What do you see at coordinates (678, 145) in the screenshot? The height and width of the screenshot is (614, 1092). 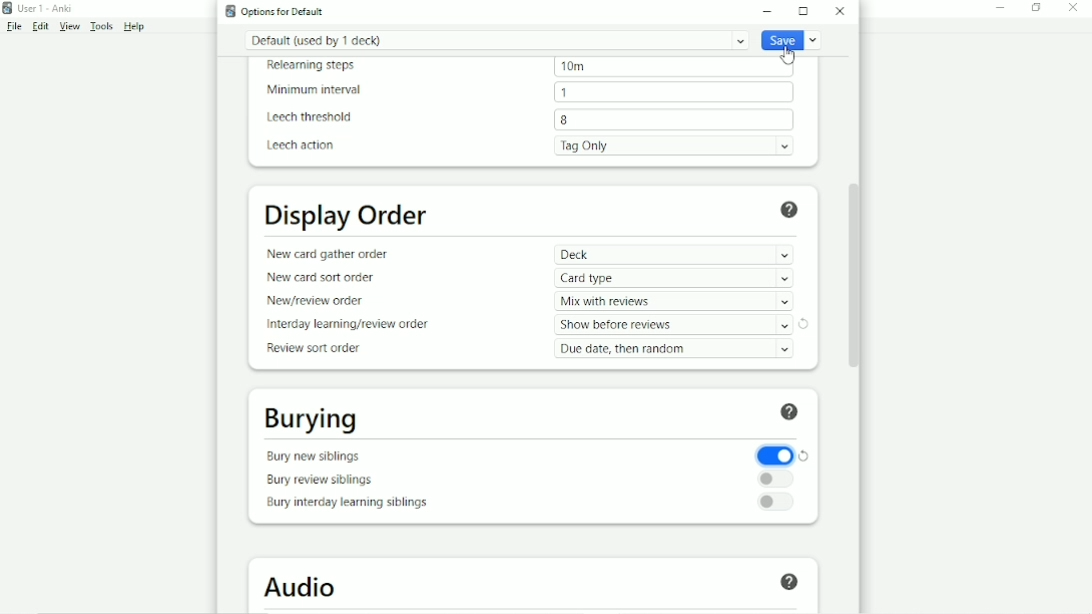 I see `Tag Only` at bounding box center [678, 145].